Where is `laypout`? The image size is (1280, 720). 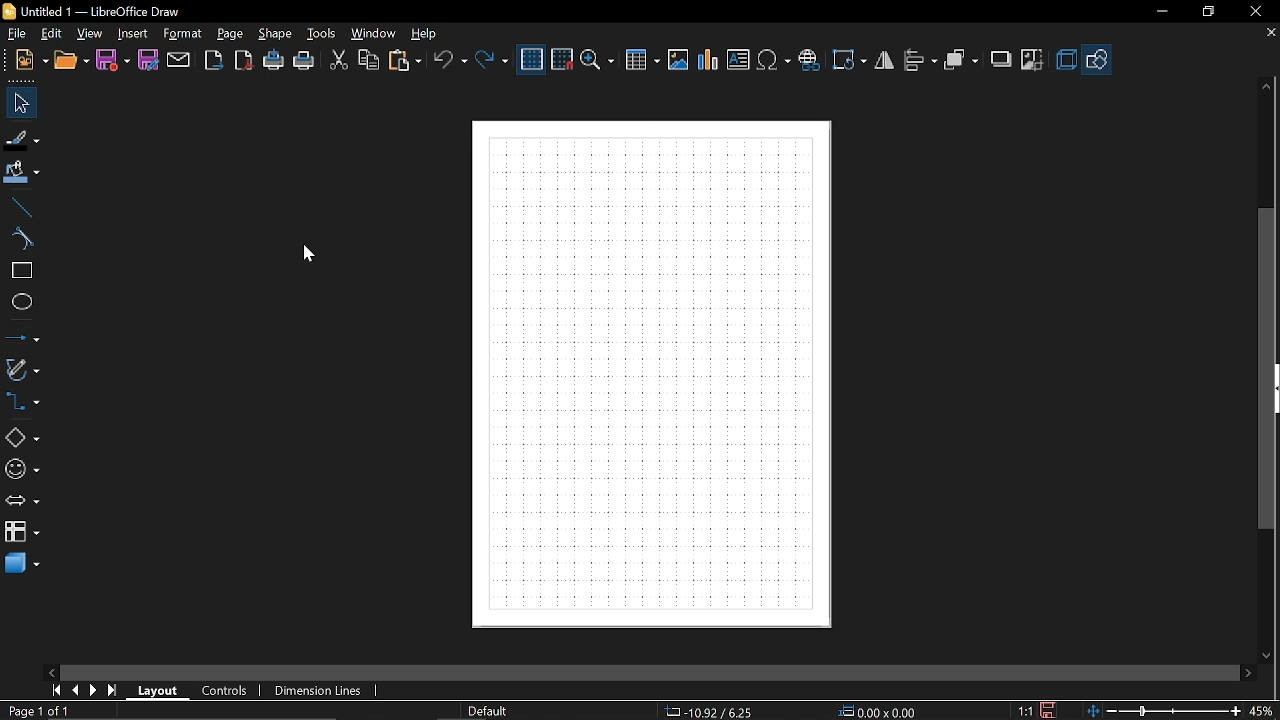 laypout is located at coordinates (158, 692).